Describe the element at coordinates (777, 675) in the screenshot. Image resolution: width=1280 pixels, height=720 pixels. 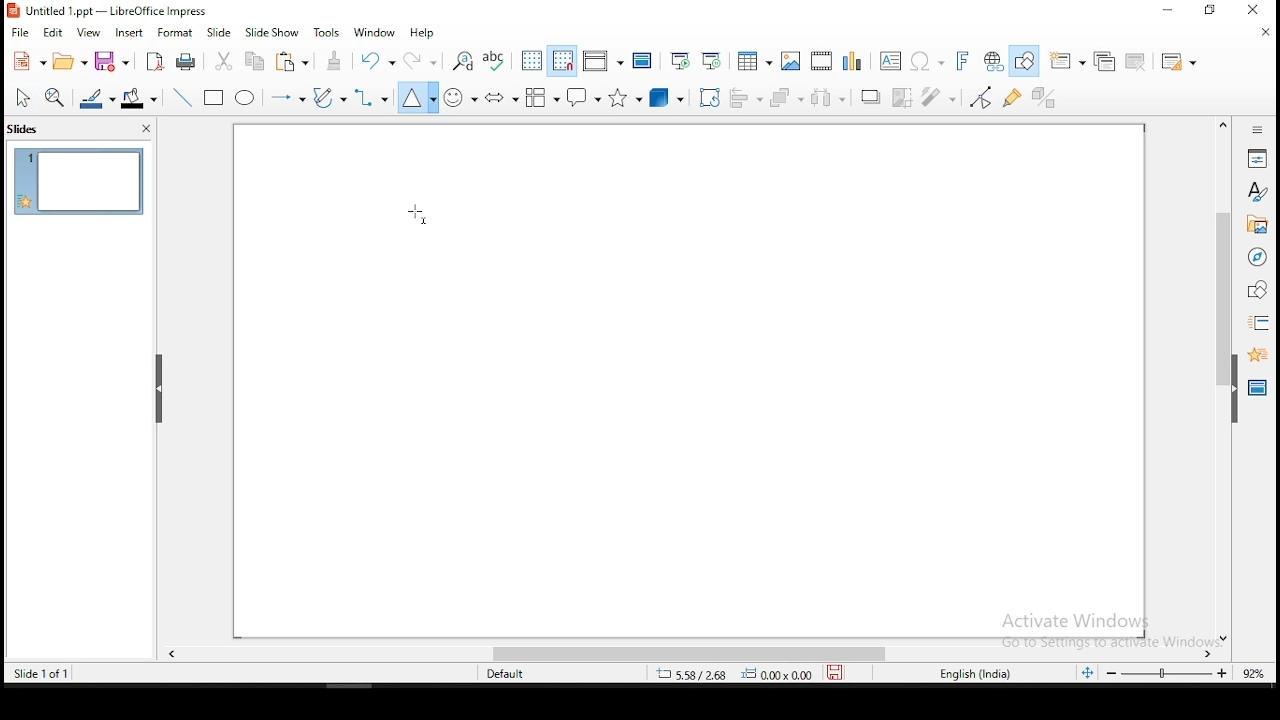
I see `0.00x 0.00` at that location.